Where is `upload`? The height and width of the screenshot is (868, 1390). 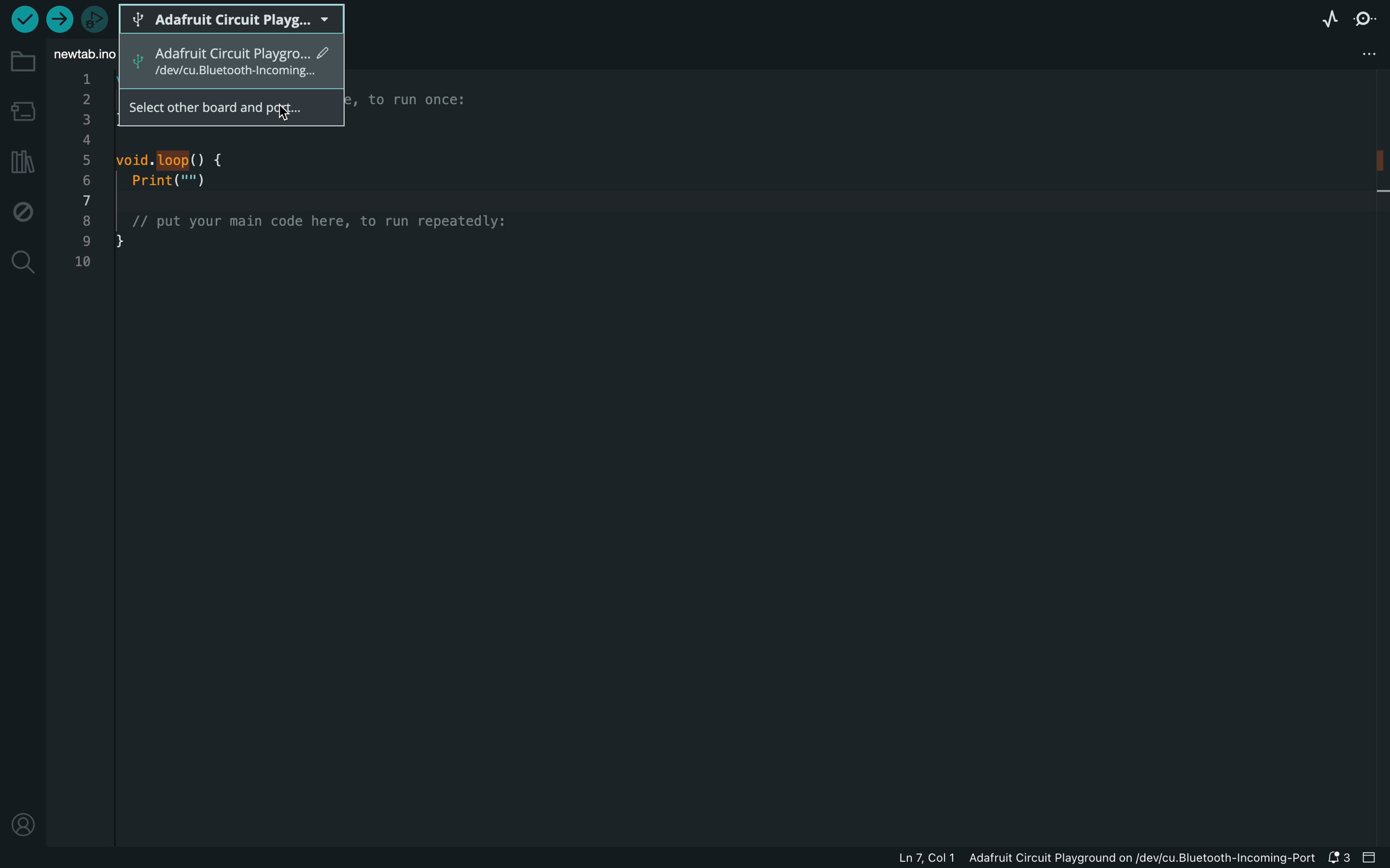
upload is located at coordinates (56, 21).